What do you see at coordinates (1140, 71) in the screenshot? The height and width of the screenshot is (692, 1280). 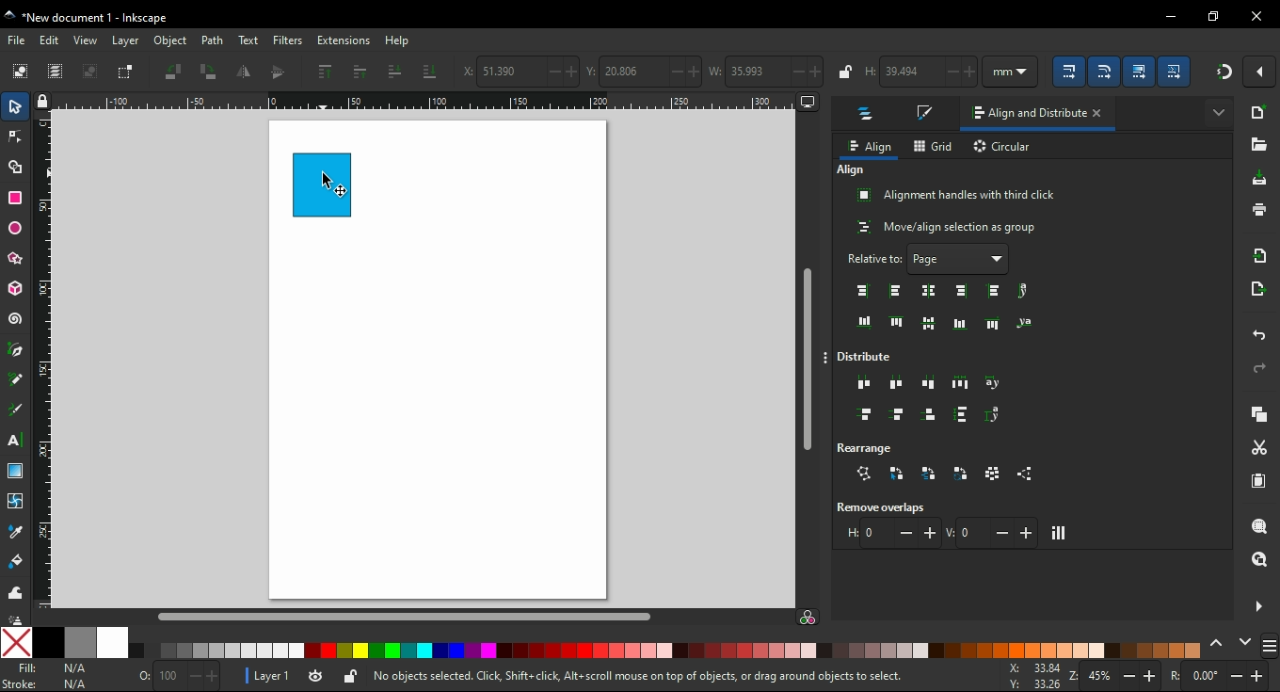 I see `move gradients along with the objects` at bounding box center [1140, 71].